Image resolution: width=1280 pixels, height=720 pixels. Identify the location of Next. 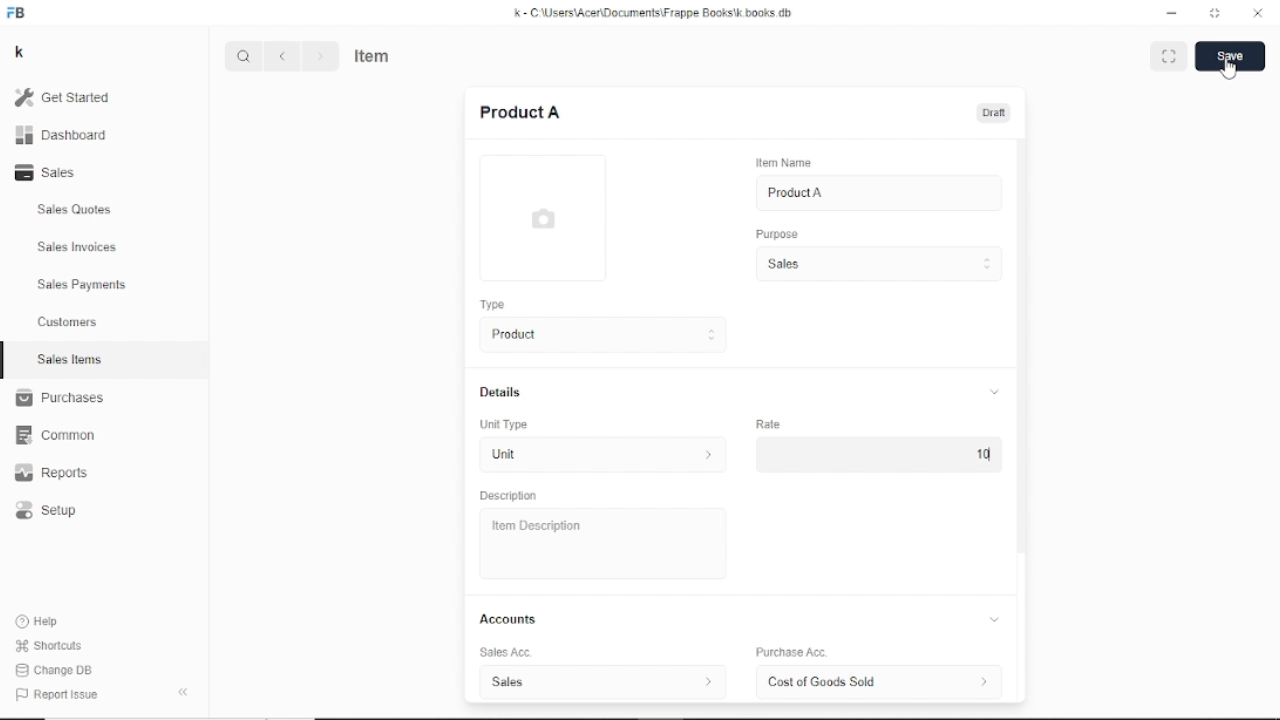
(319, 56).